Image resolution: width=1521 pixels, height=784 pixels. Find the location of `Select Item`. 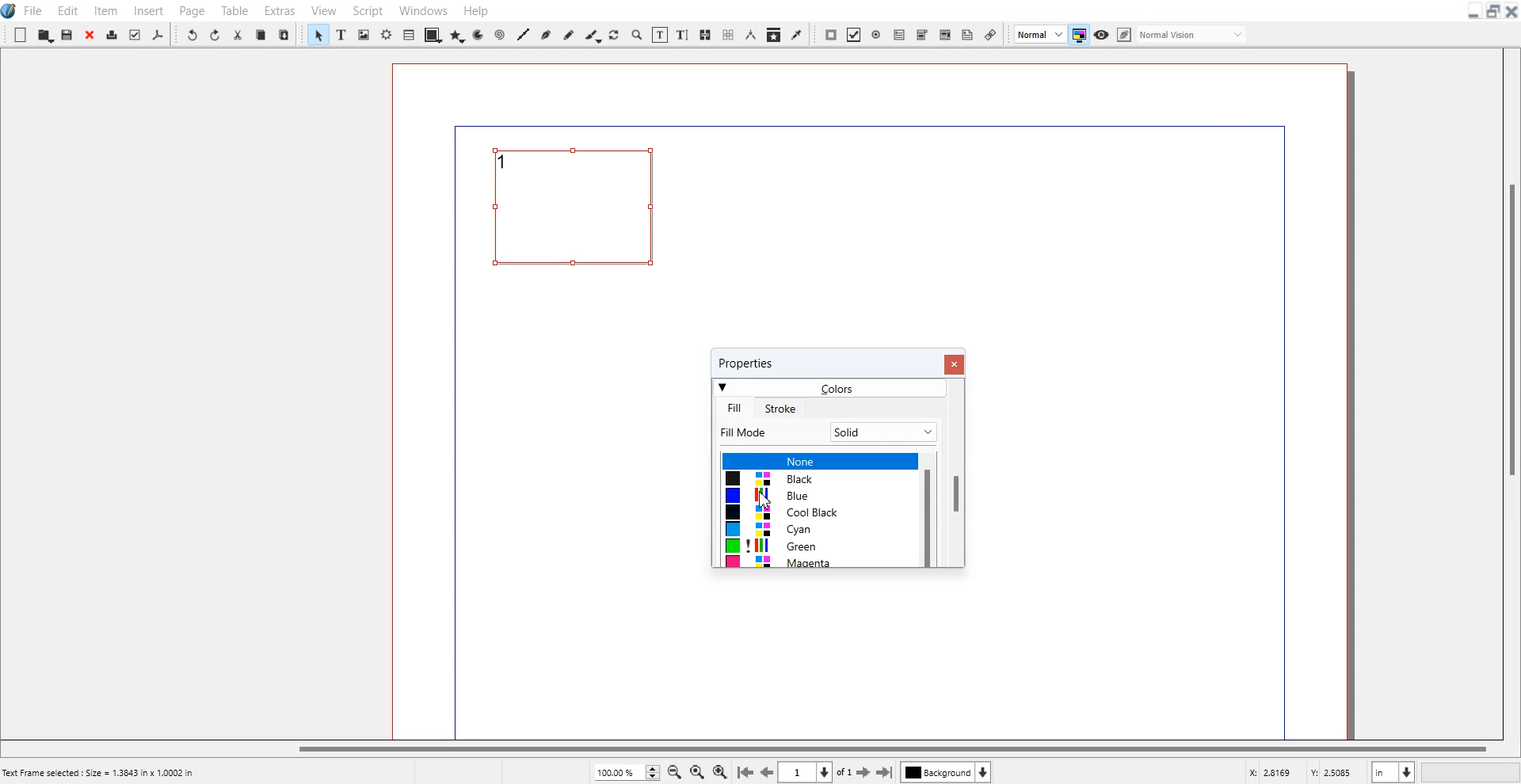

Select Item is located at coordinates (318, 34).